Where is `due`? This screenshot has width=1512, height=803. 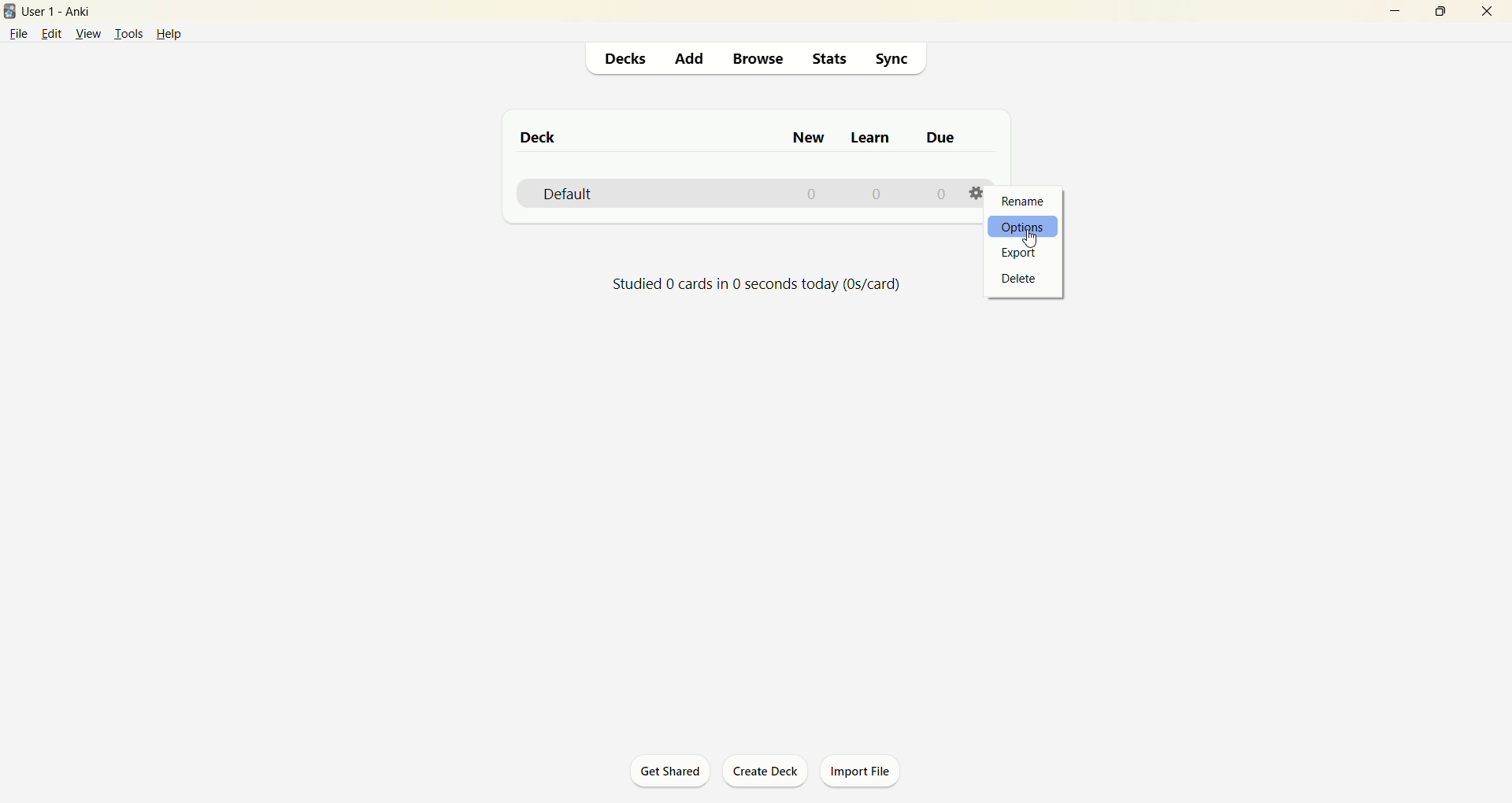 due is located at coordinates (943, 138).